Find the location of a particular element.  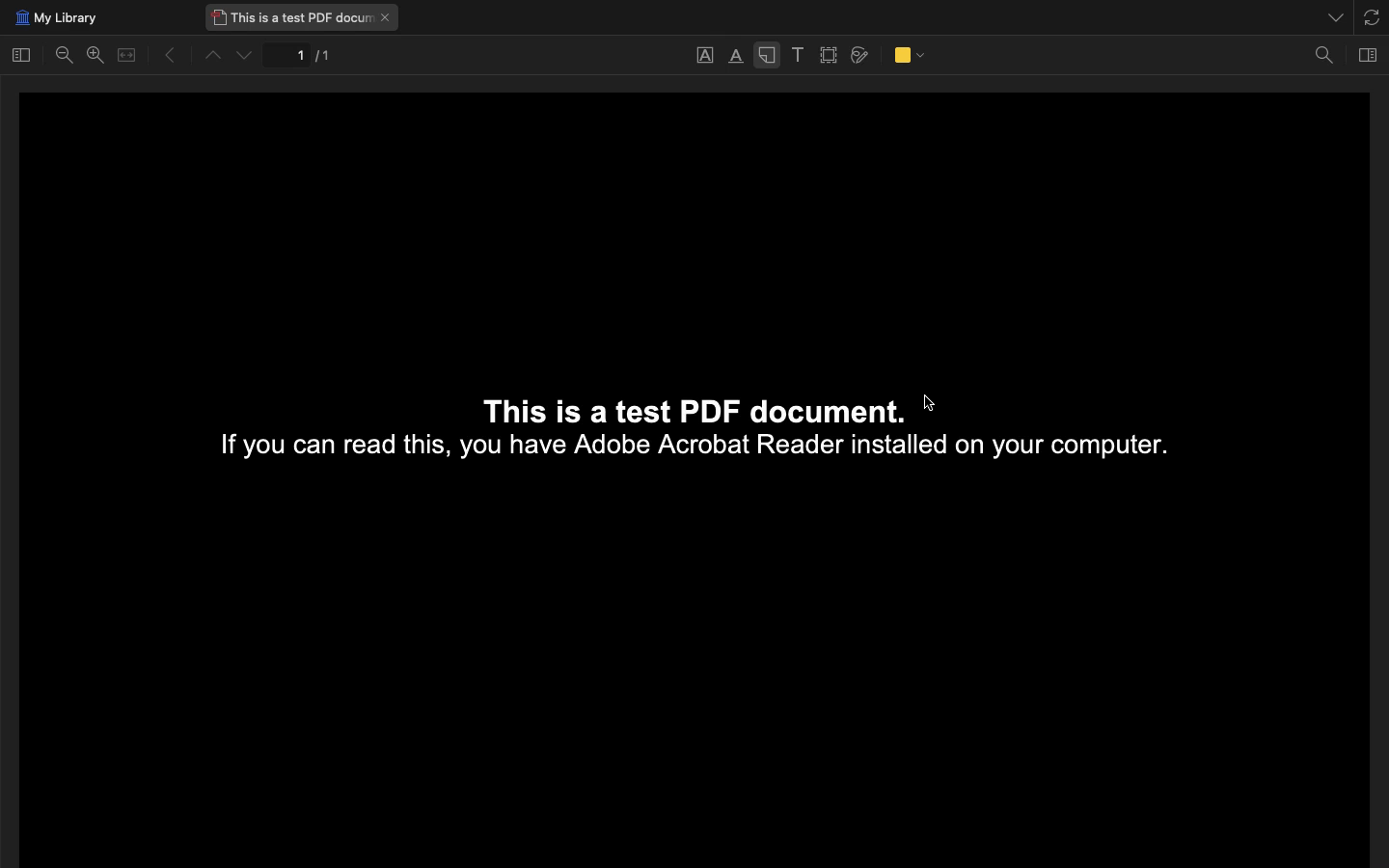

Merge is located at coordinates (126, 56).